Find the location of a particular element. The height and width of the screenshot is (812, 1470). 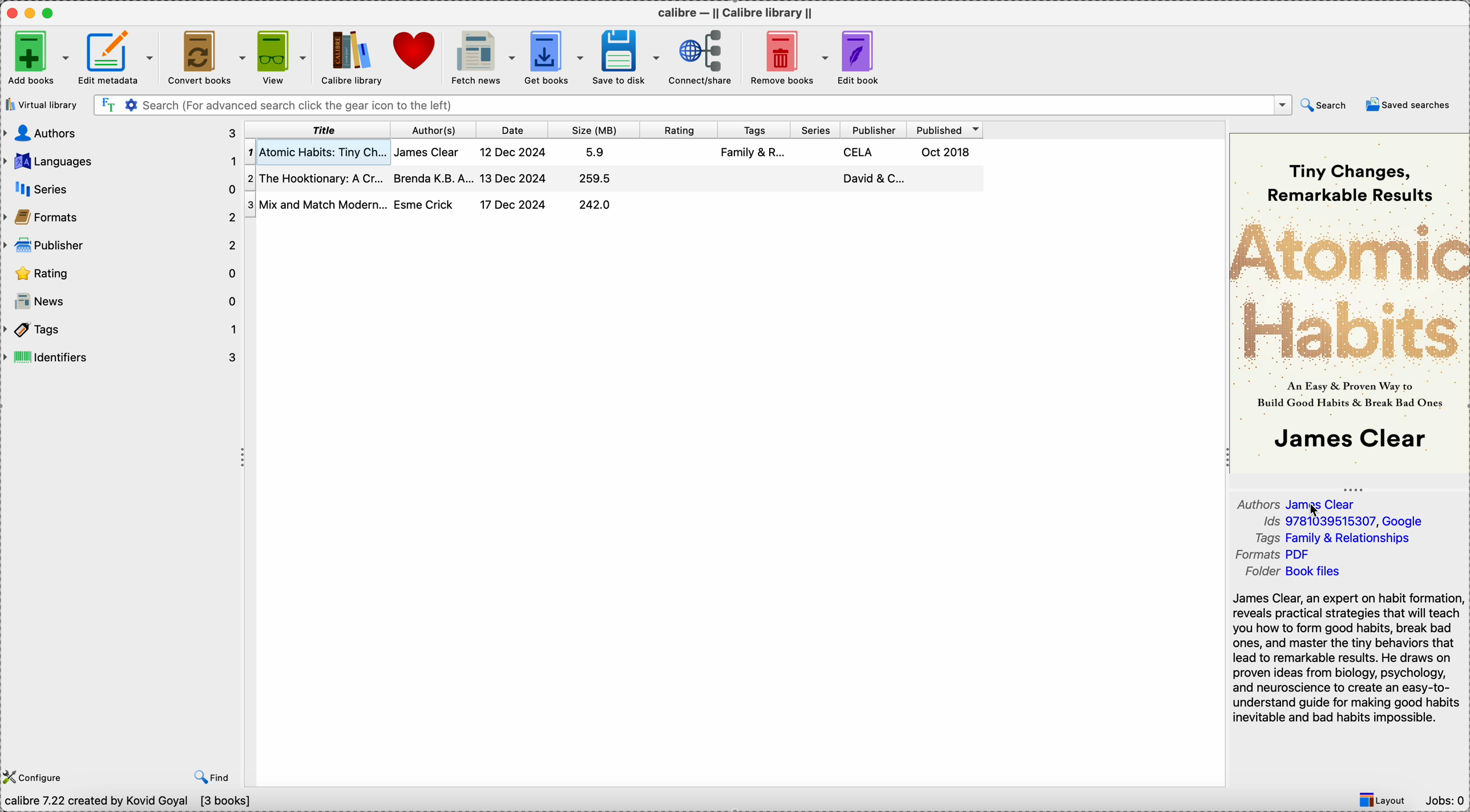

series is located at coordinates (815, 128).